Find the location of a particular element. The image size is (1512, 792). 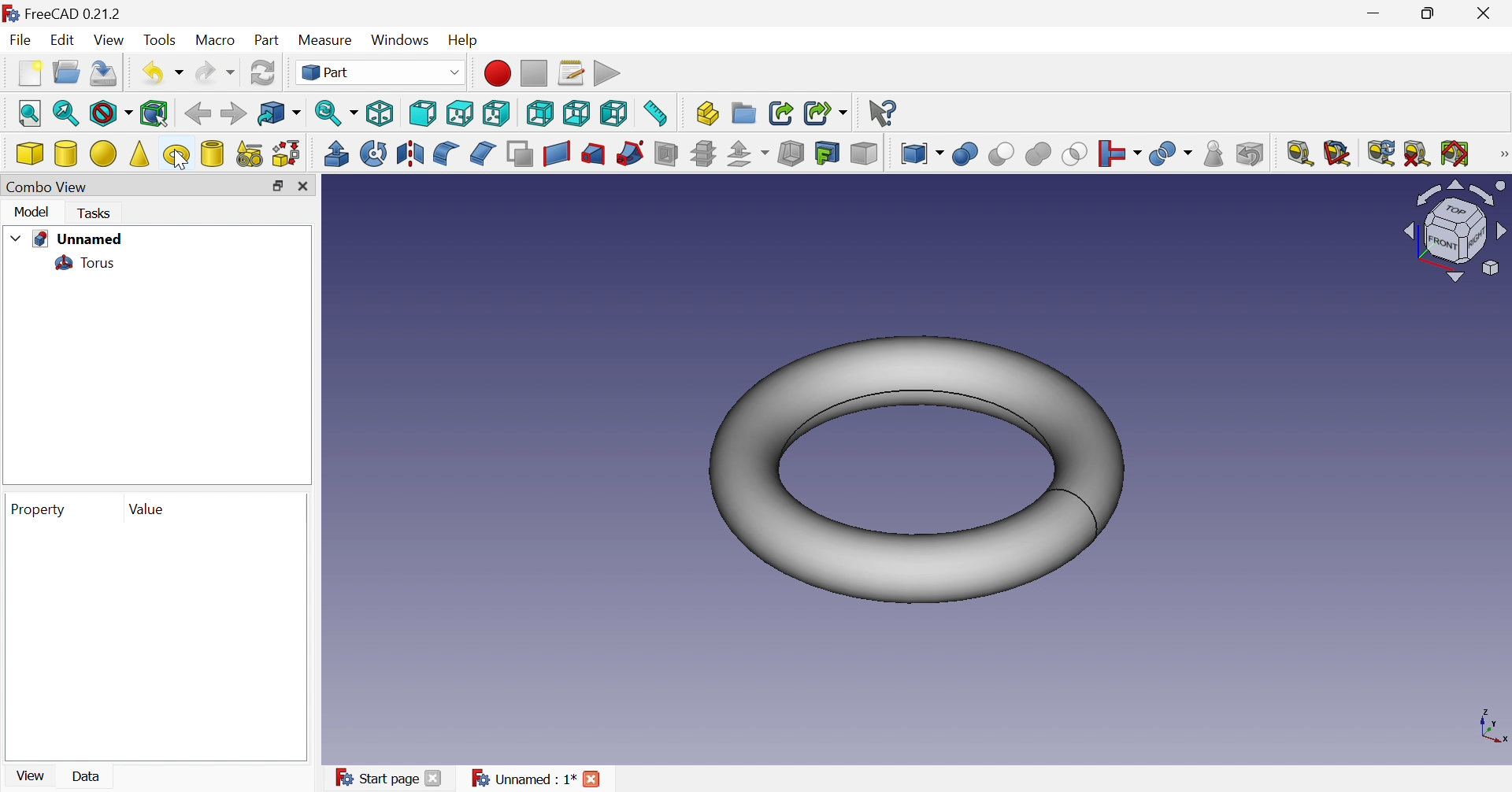

Create ruled surface is located at coordinates (556, 154).